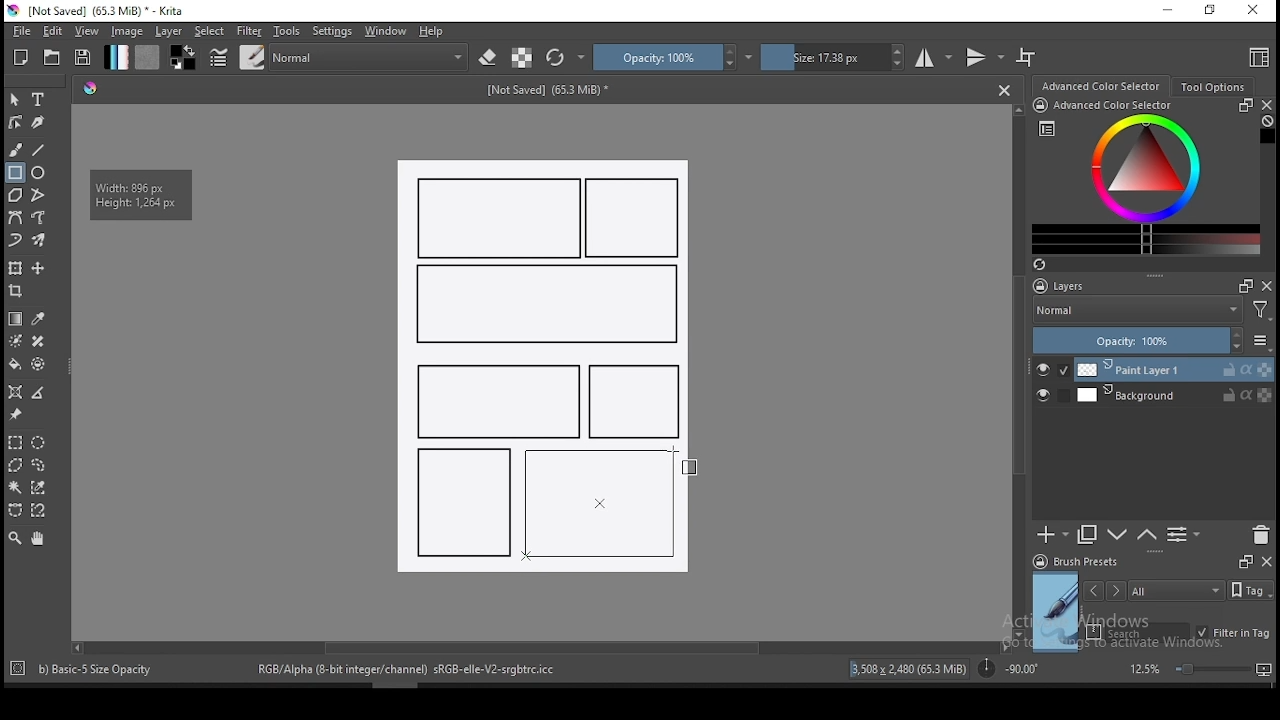 The image size is (1280, 720). I want to click on calligraphy, so click(39, 121).